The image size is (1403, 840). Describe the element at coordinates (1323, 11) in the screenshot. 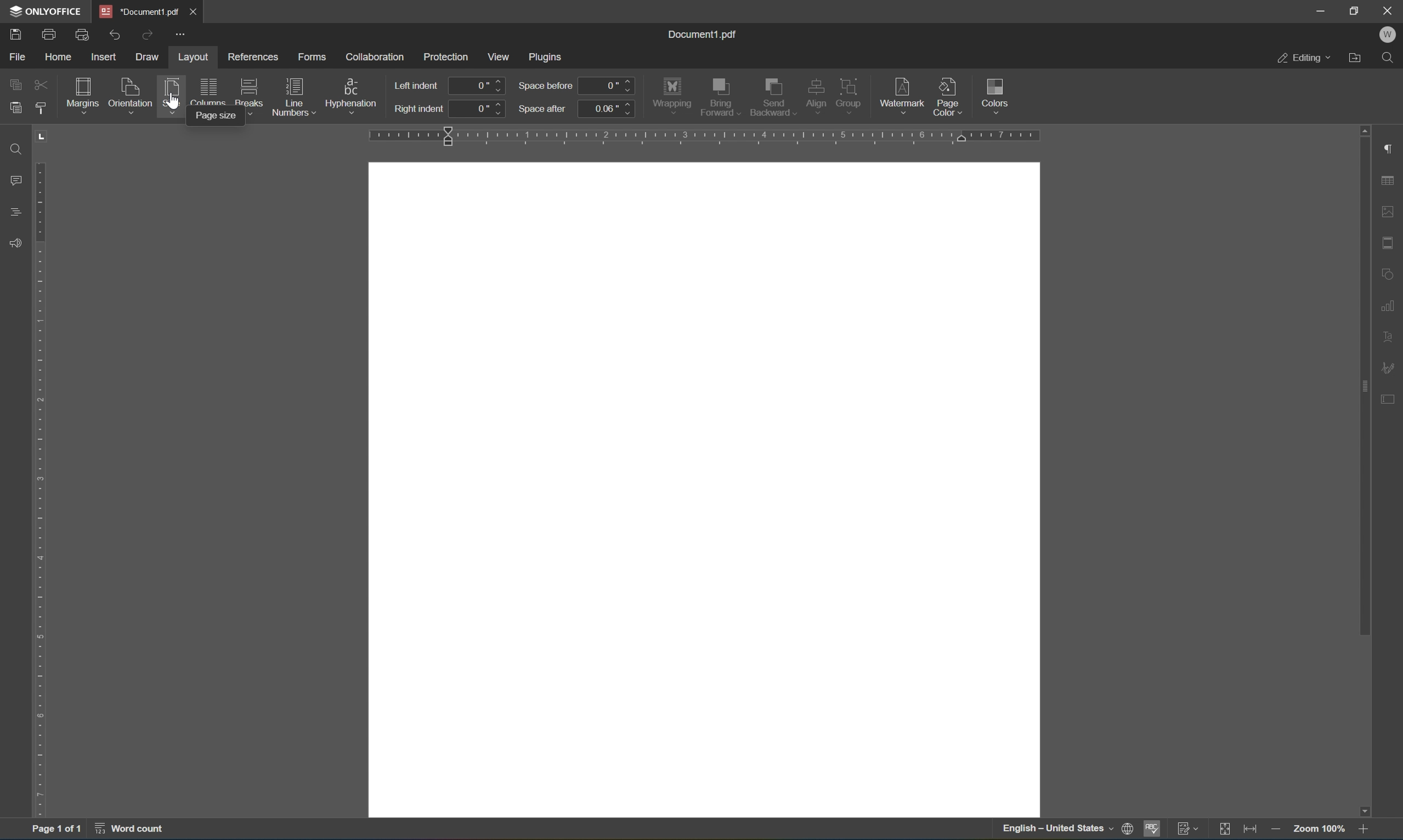

I see `minimize` at that location.